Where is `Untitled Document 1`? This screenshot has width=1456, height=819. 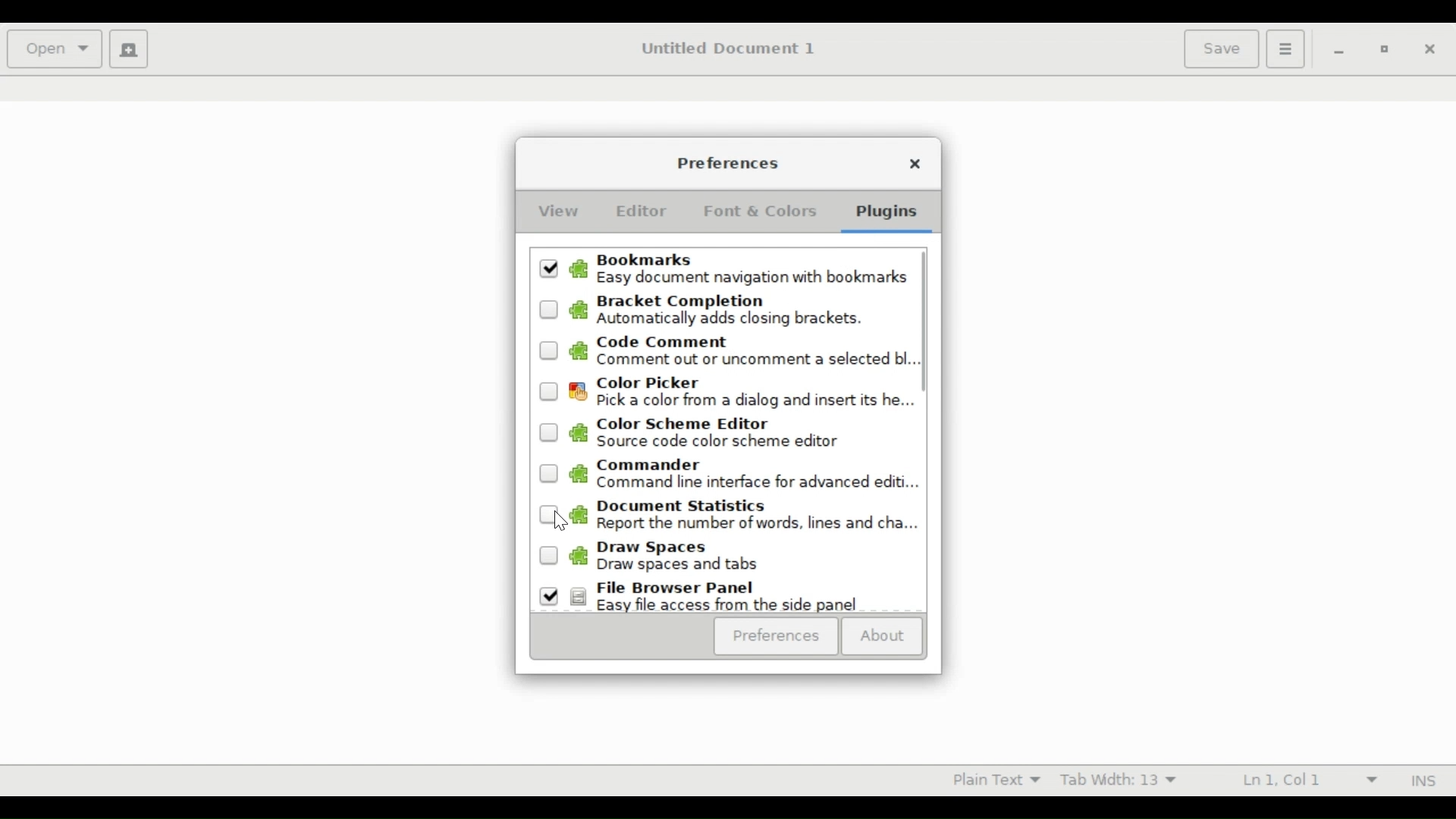 Untitled Document 1 is located at coordinates (731, 49).